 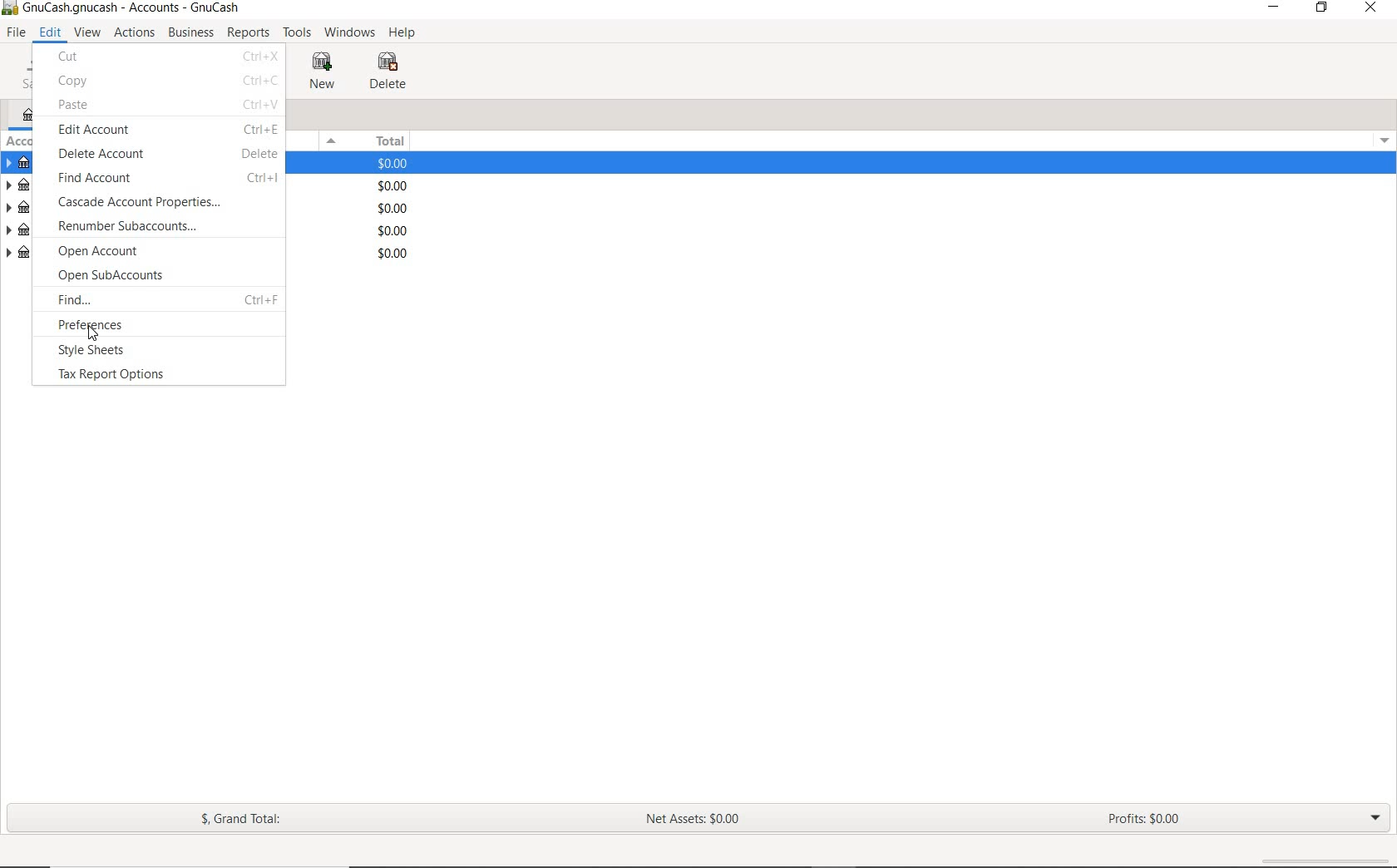 I want to click on TAX REPORT OPTIONS, so click(x=122, y=375).